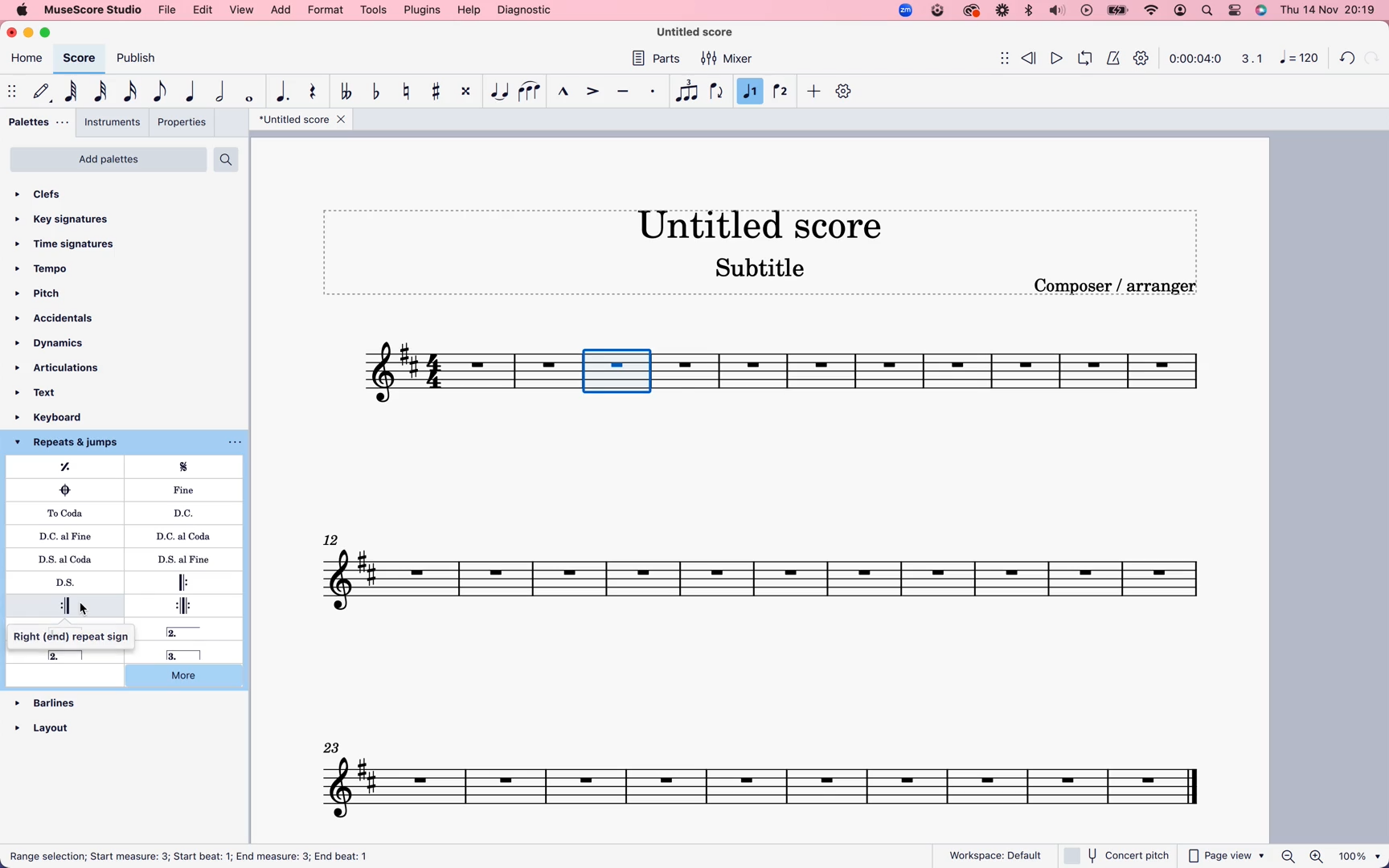  Describe the element at coordinates (769, 776) in the screenshot. I see `score` at that location.